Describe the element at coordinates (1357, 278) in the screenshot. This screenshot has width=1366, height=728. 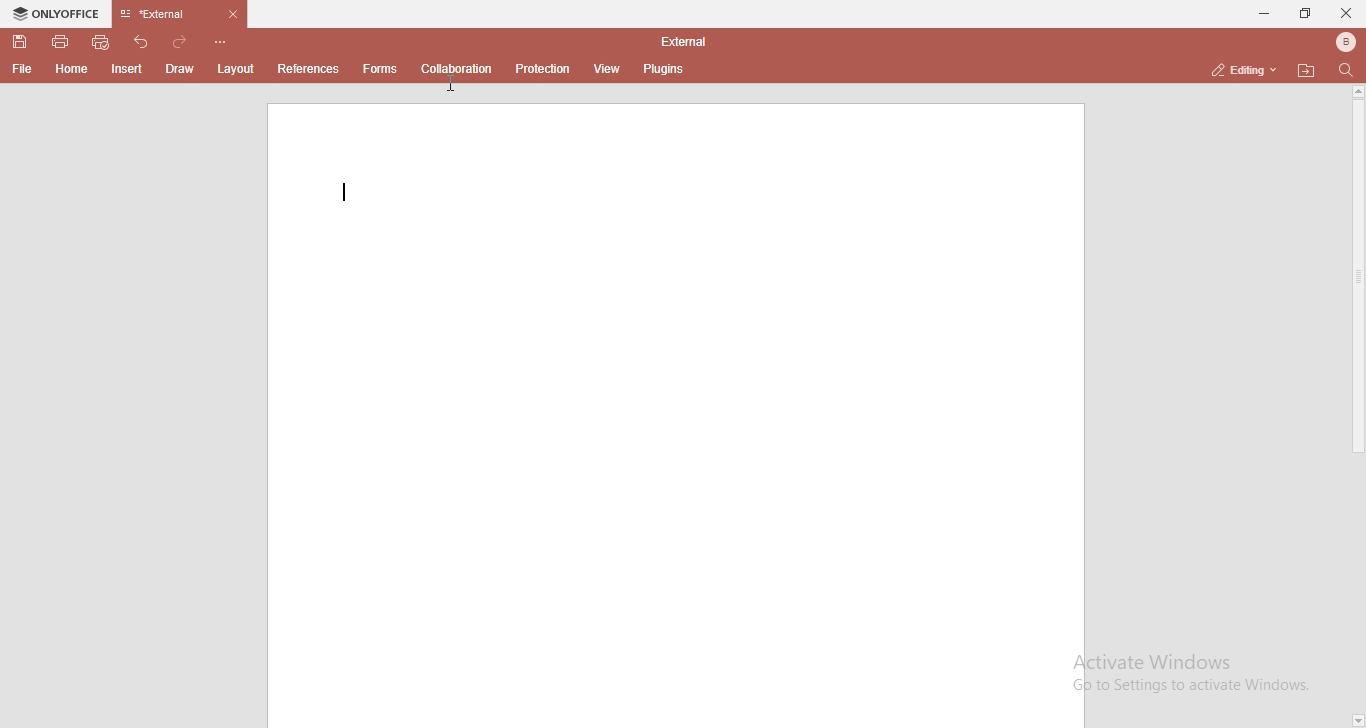
I see `scrollbar` at that location.